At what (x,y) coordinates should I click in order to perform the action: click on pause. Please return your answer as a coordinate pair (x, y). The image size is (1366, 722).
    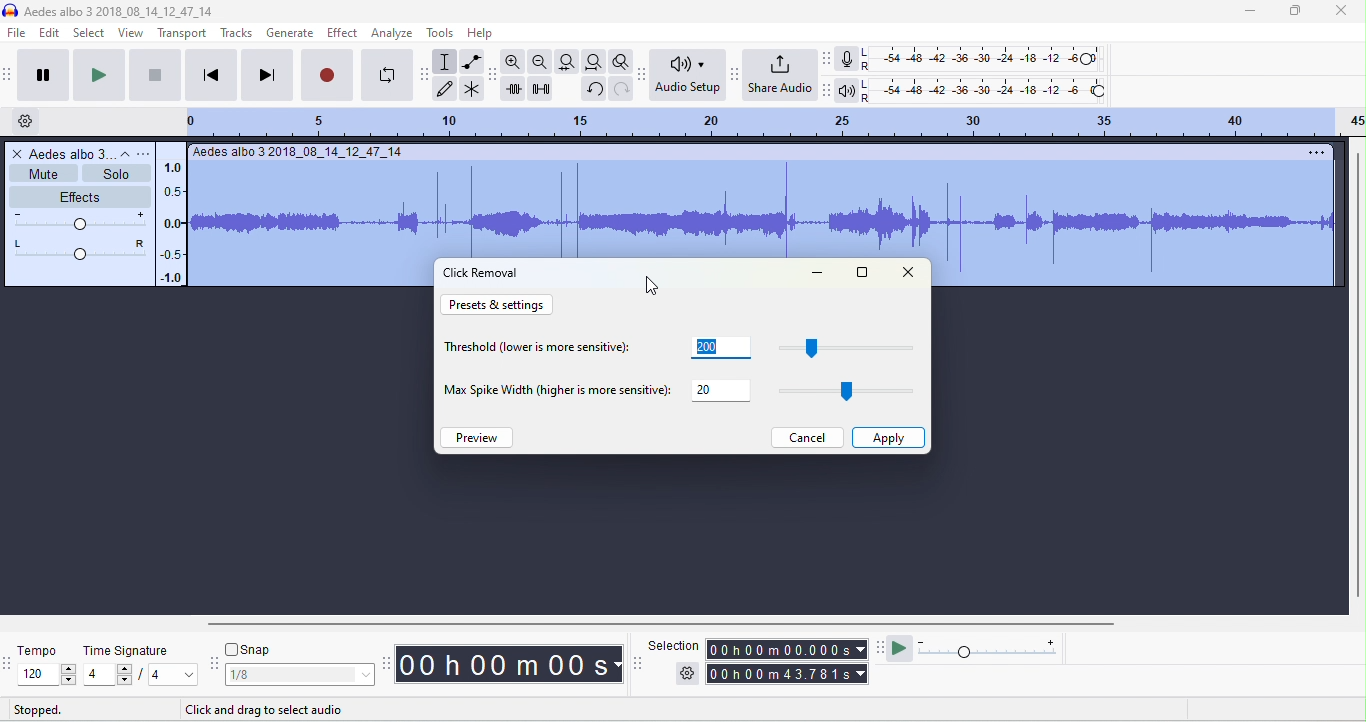
    Looking at the image, I should click on (46, 76).